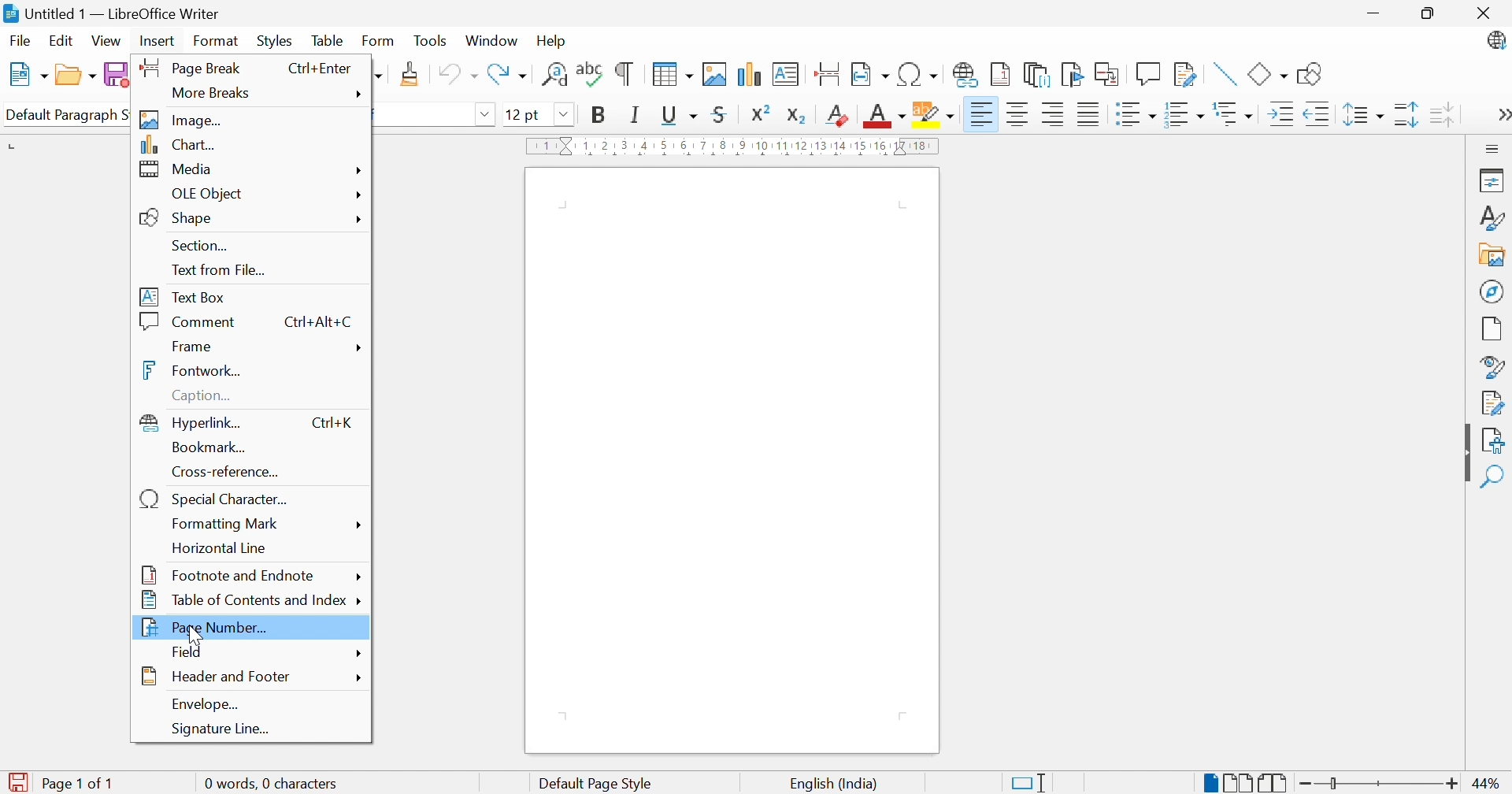  I want to click on Section..., so click(203, 246).